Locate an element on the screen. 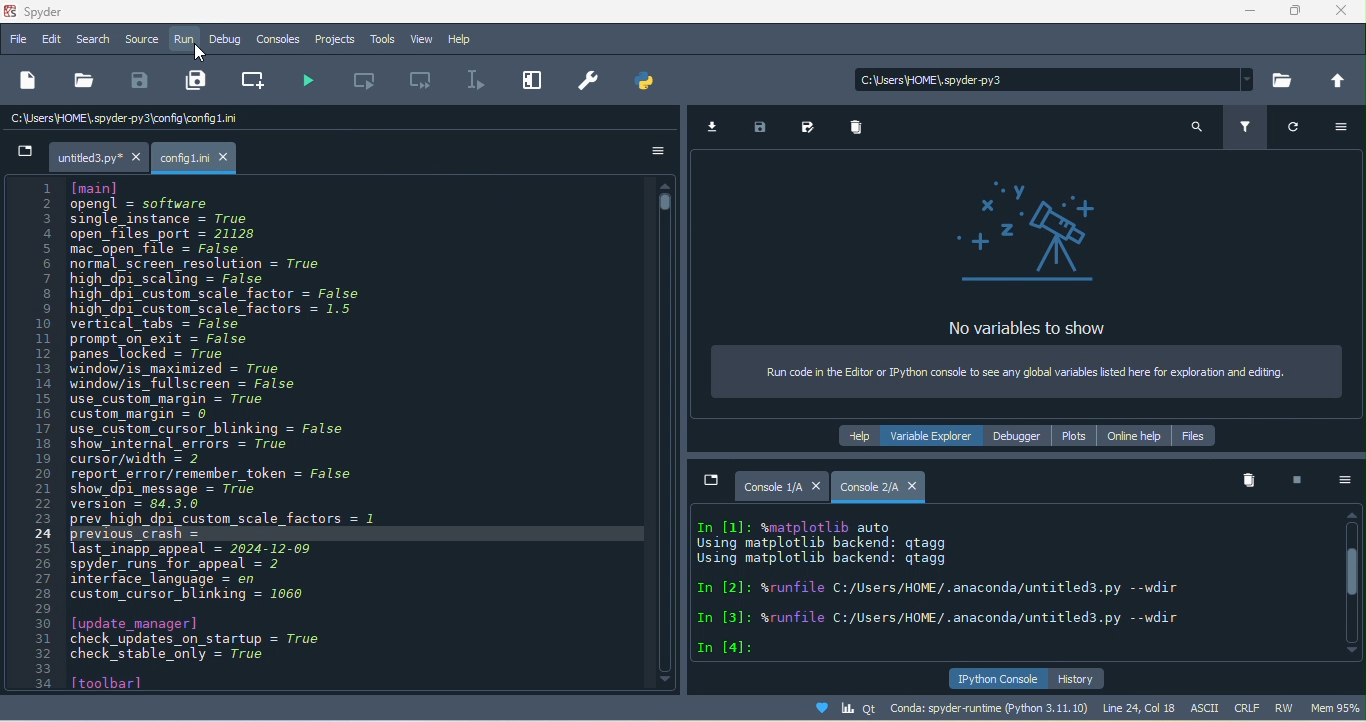  crlf is located at coordinates (1250, 708).